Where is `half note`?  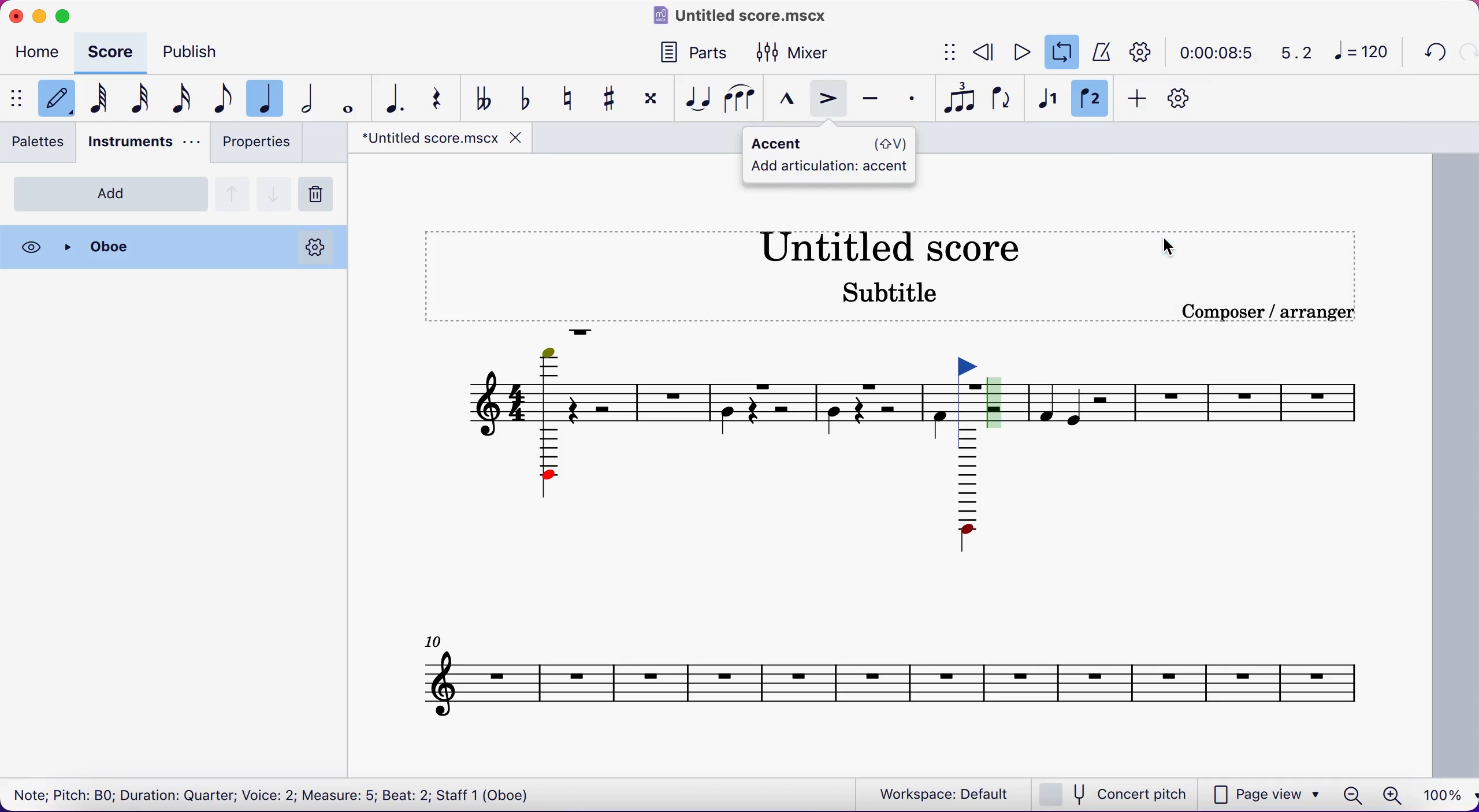 half note is located at coordinates (313, 99).